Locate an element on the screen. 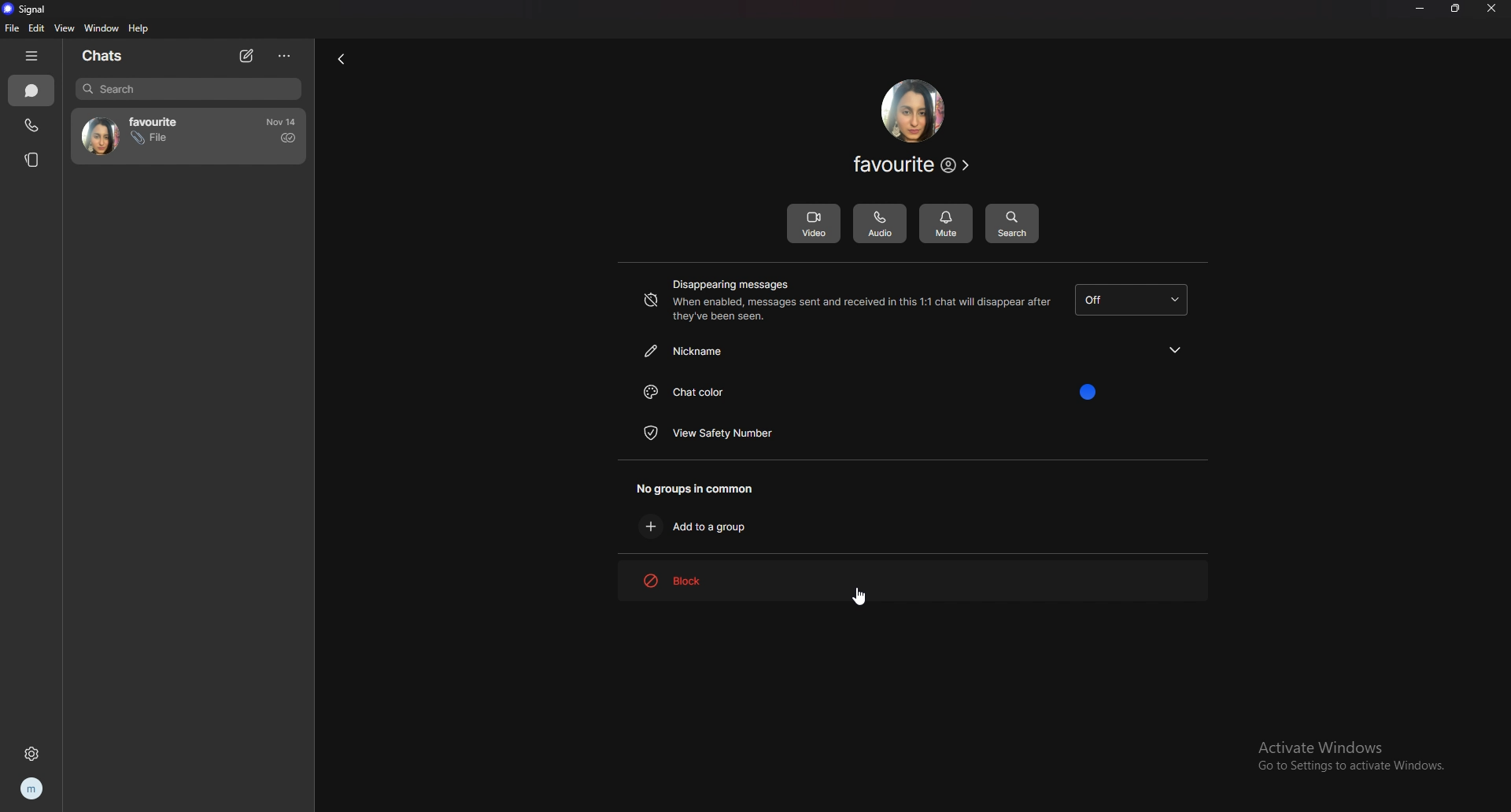 The image size is (1511, 812). calls is located at coordinates (34, 123).